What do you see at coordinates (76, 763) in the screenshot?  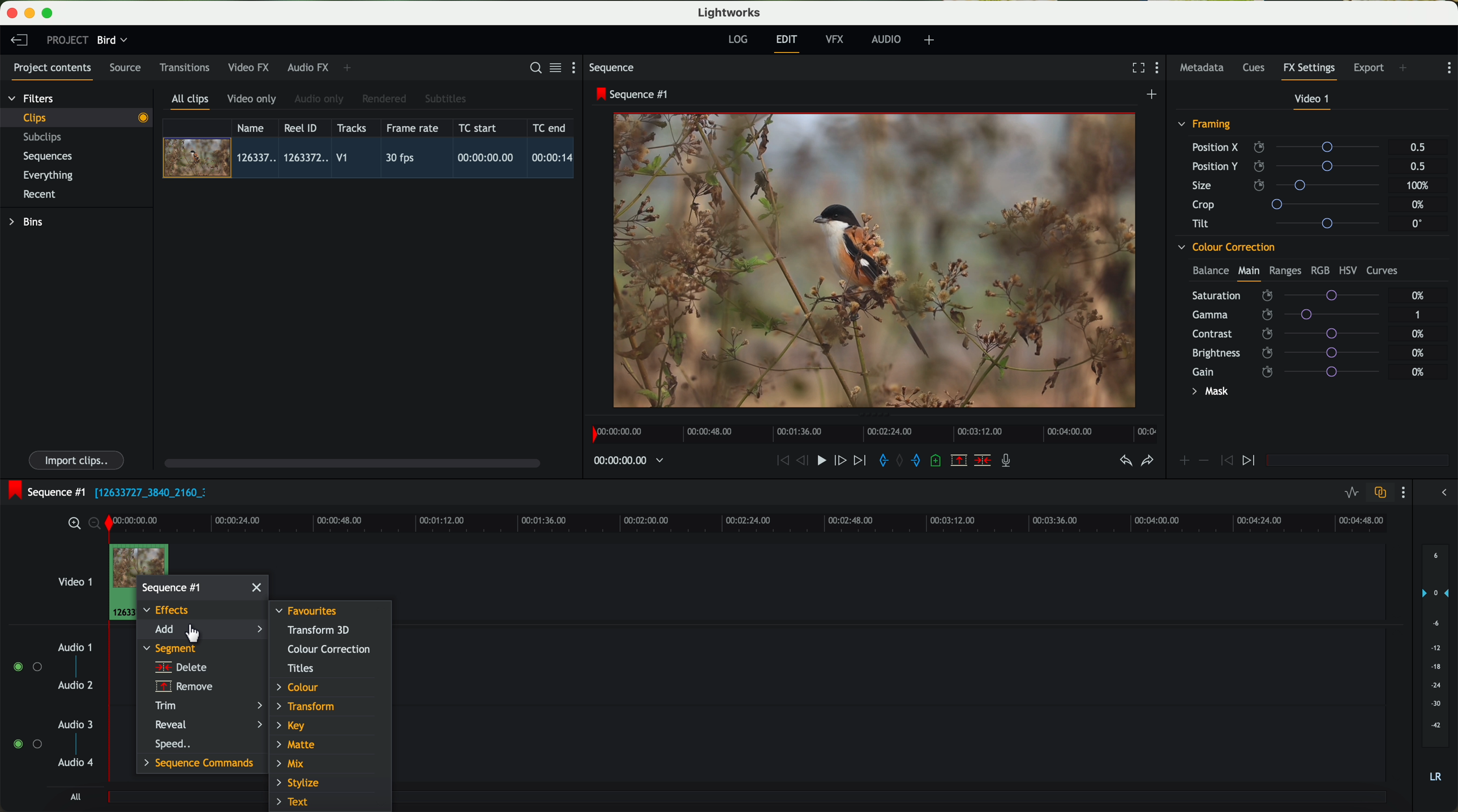 I see `audio 4` at bounding box center [76, 763].